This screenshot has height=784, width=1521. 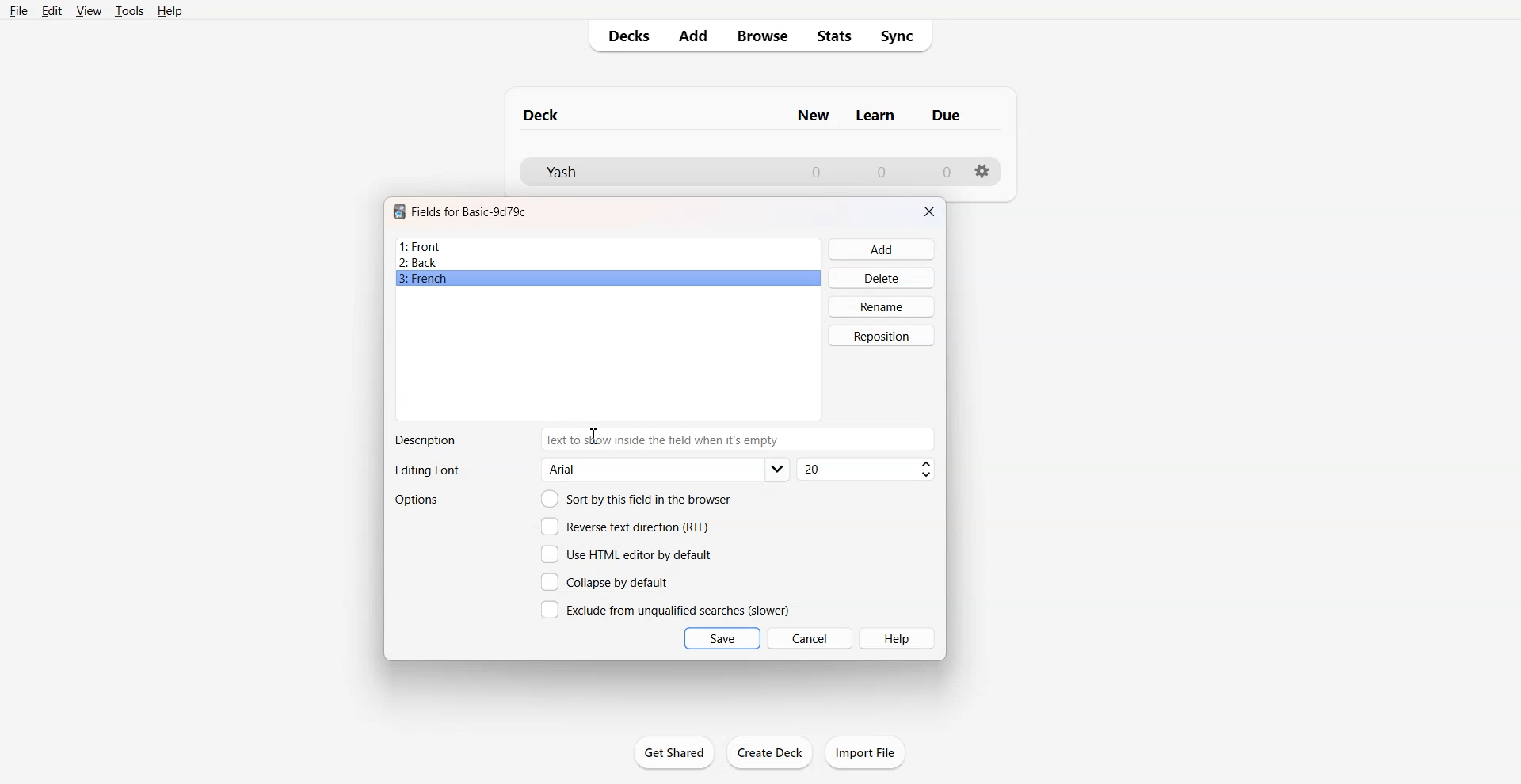 I want to click on Back, so click(x=608, y=262).